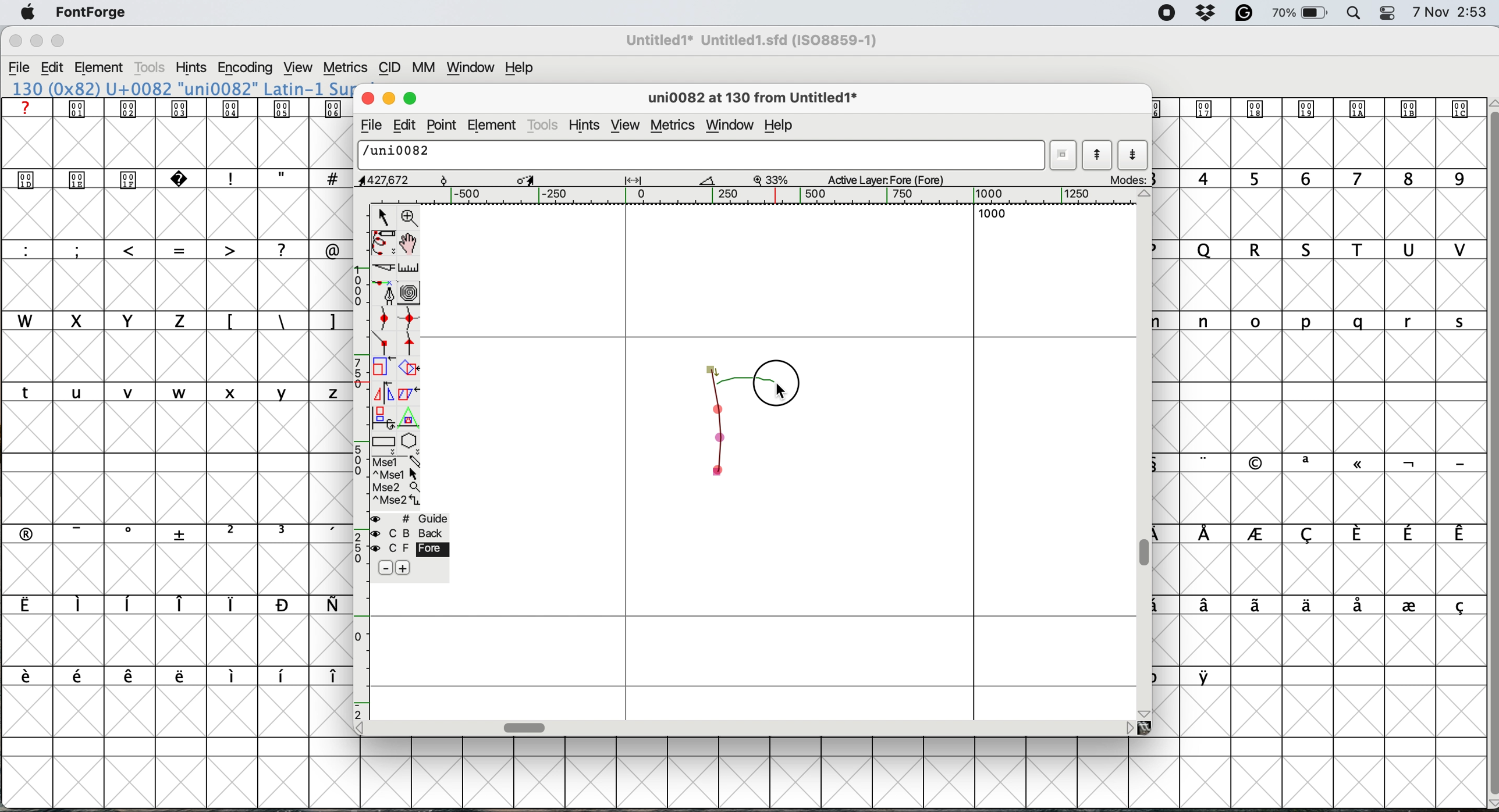 Image resolution: width=1499 pixels, height=812 pixels. Describe the element at coordinates (1315, 180) in the screenshot. I see `digits` at that location.